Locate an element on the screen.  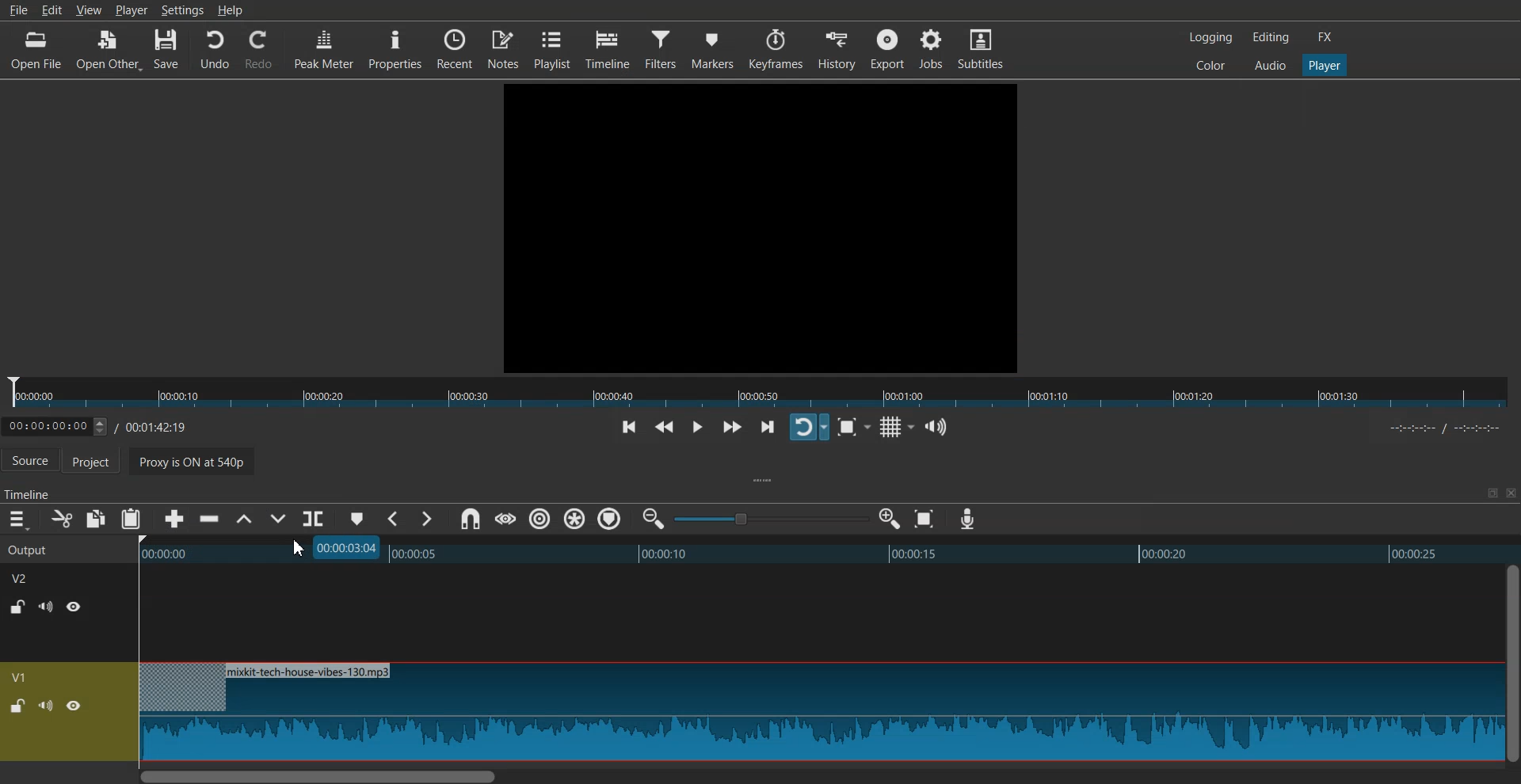
Play quickly forwards is located at coordinates (732, 427).